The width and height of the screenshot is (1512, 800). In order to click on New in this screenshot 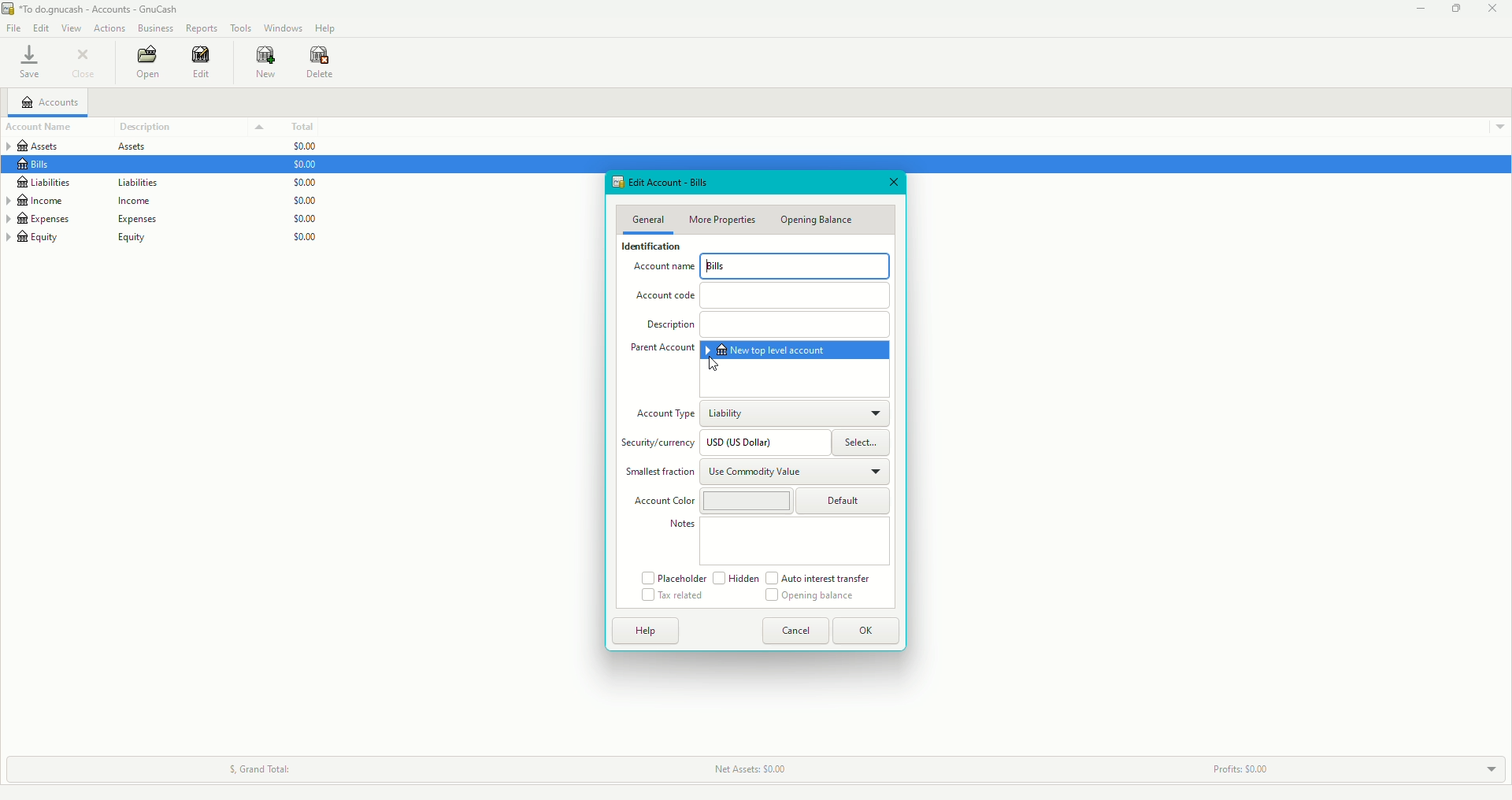, I will do `click(266, 63)`.